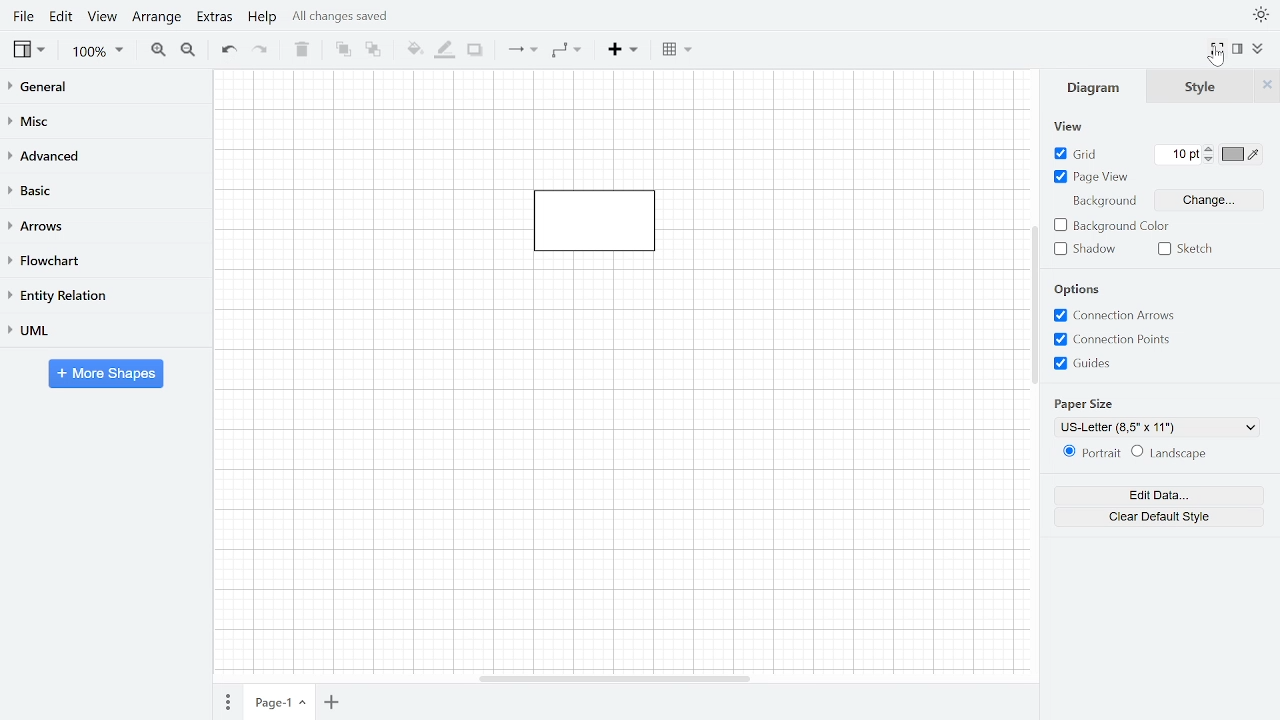  Describe the element at coordinates (476, 51) in the screenshot. I see `Shadow` at that location.